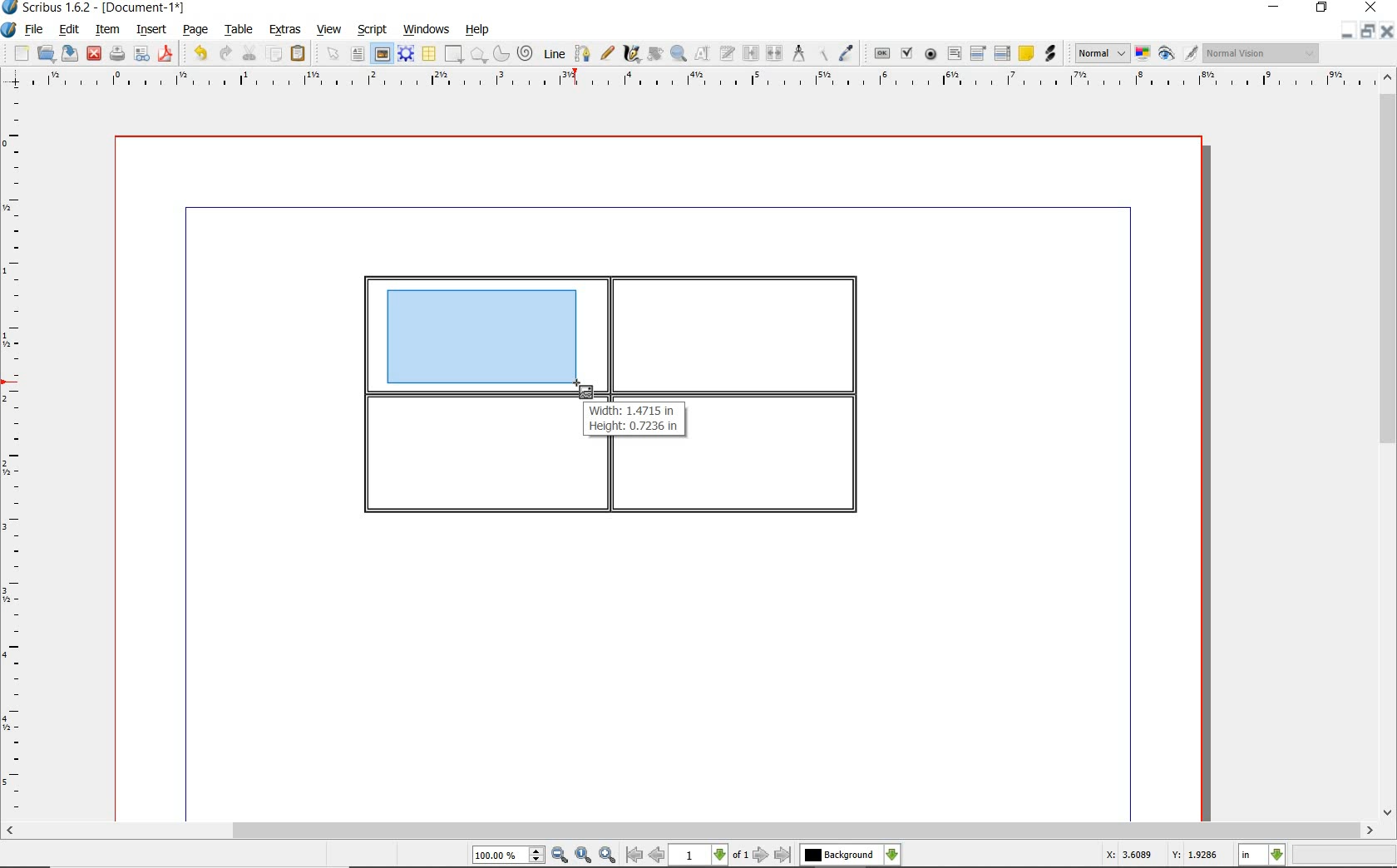  Describe the element at coordinates (373, 30) in the screenshot. I see `script` at that location.